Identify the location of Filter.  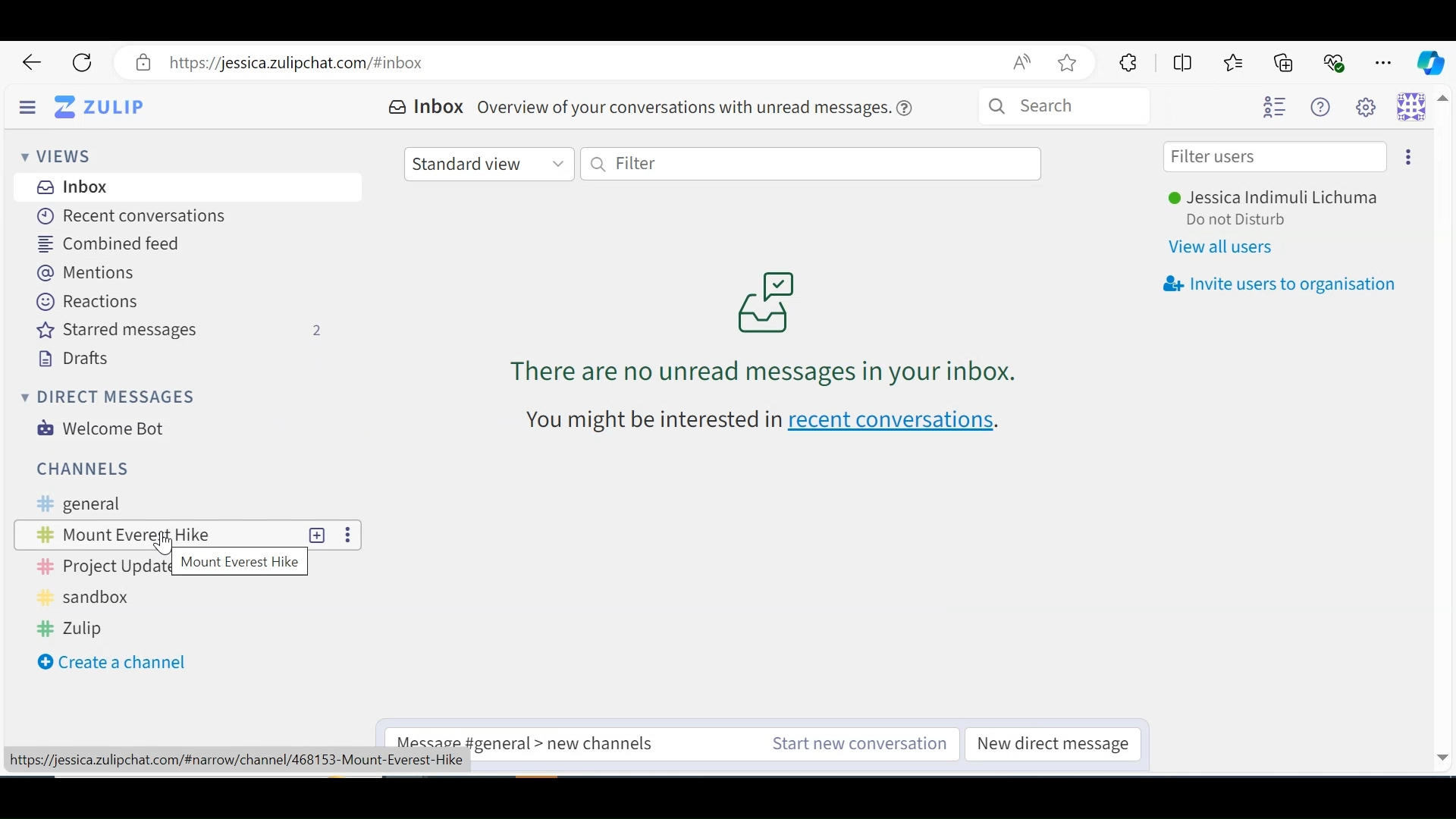
(813, 165).